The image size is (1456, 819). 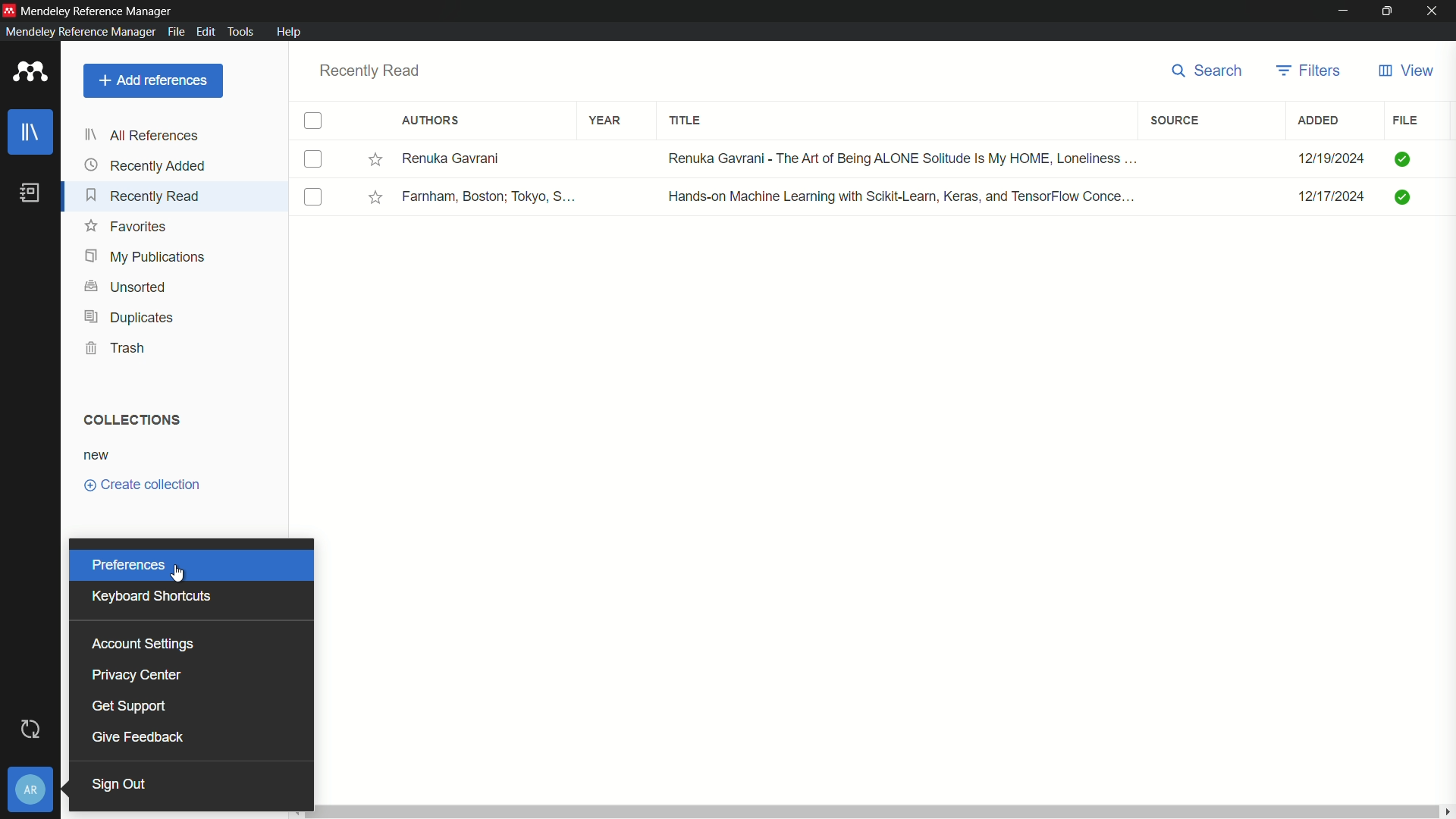 I want to click on recently read, so click(x=370, y=71).